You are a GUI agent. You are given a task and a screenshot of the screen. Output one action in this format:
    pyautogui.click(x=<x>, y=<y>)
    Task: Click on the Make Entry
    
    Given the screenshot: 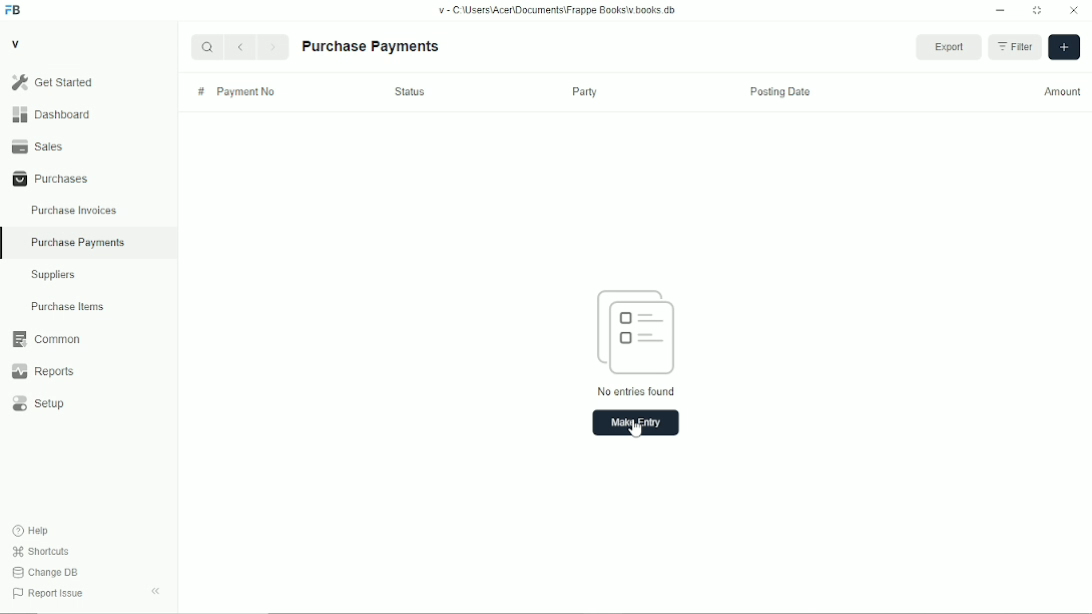 What is the action you would take?
    pyautogui.click(x=636, y=423)
    